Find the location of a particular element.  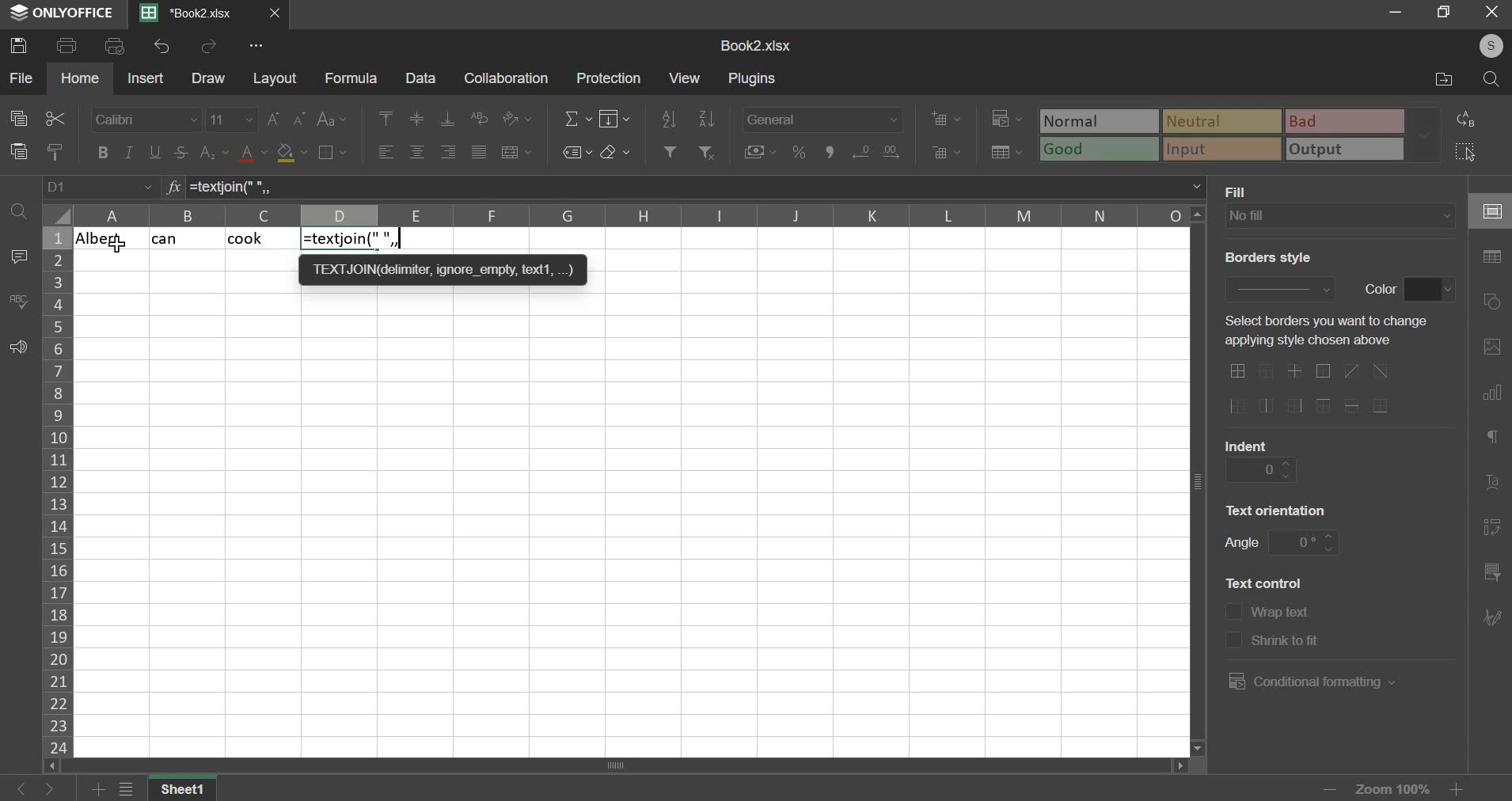

text art is located at coordinates (1492, 487).